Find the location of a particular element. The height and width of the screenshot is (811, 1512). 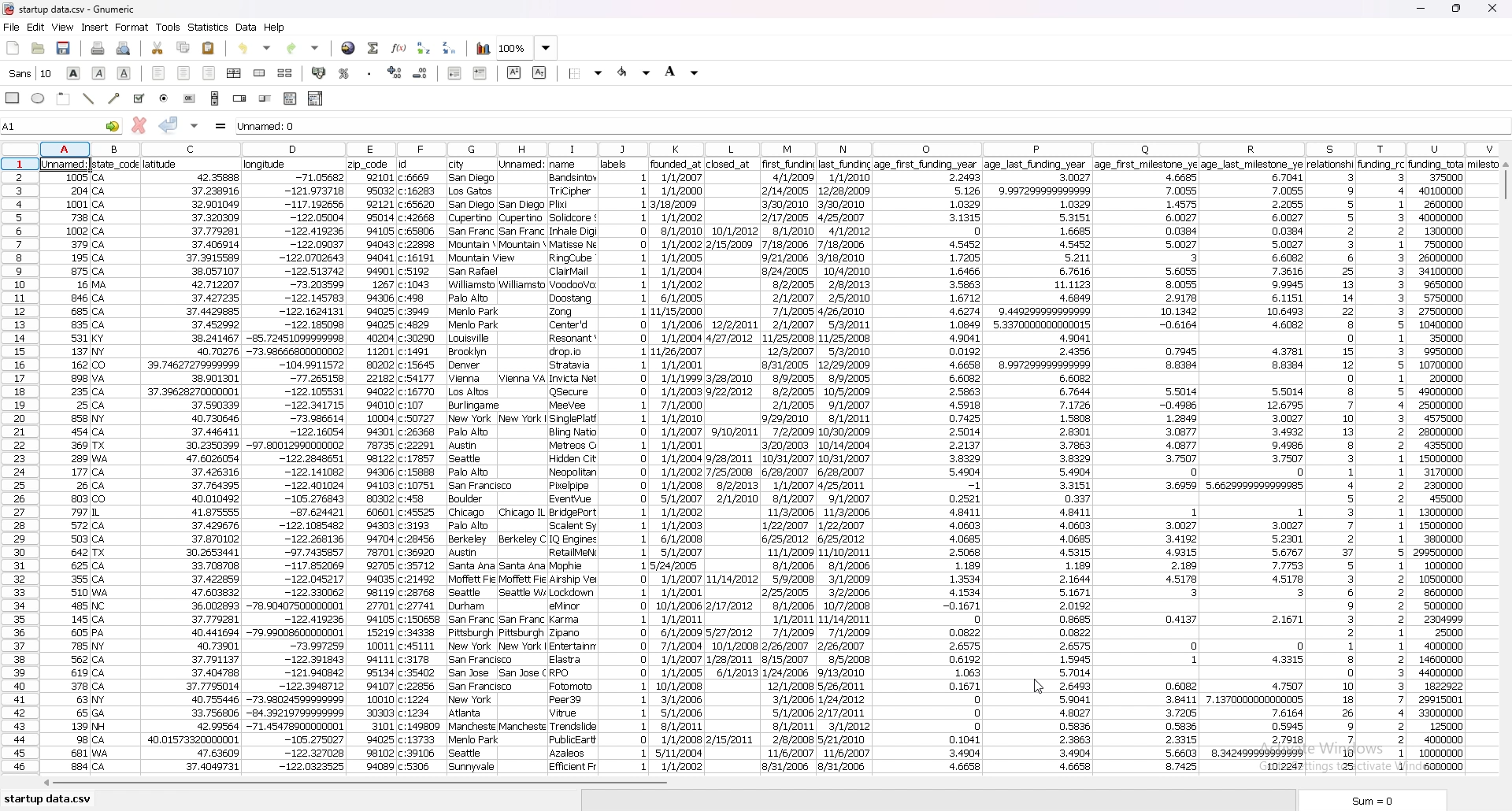

scroll bar is located at coordinates (763, 786).